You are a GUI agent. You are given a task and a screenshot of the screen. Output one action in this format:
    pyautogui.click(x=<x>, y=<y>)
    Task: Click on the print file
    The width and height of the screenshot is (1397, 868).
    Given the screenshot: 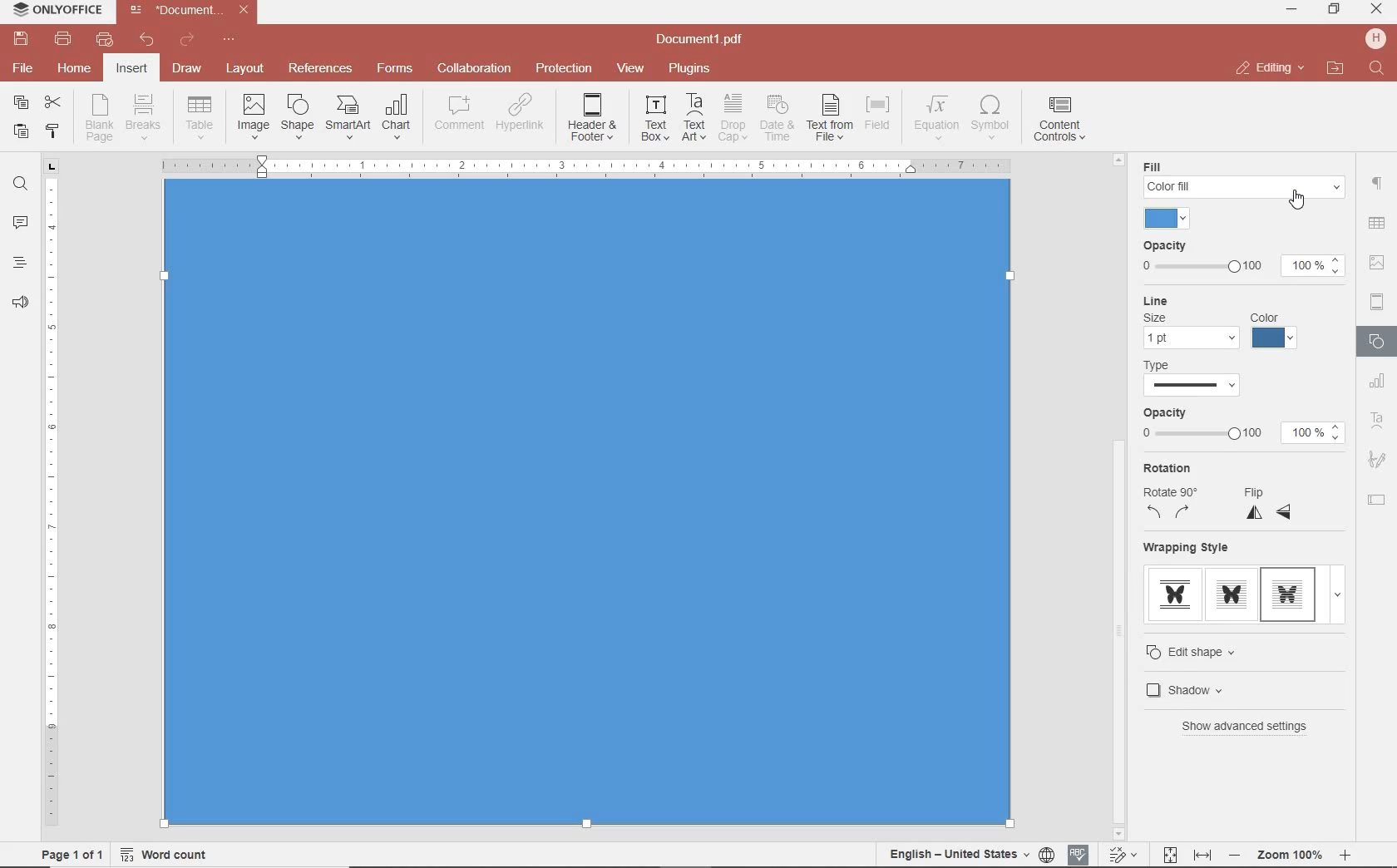 What is the action you would take?
    pyautogui.click(x=63, y=39)
    